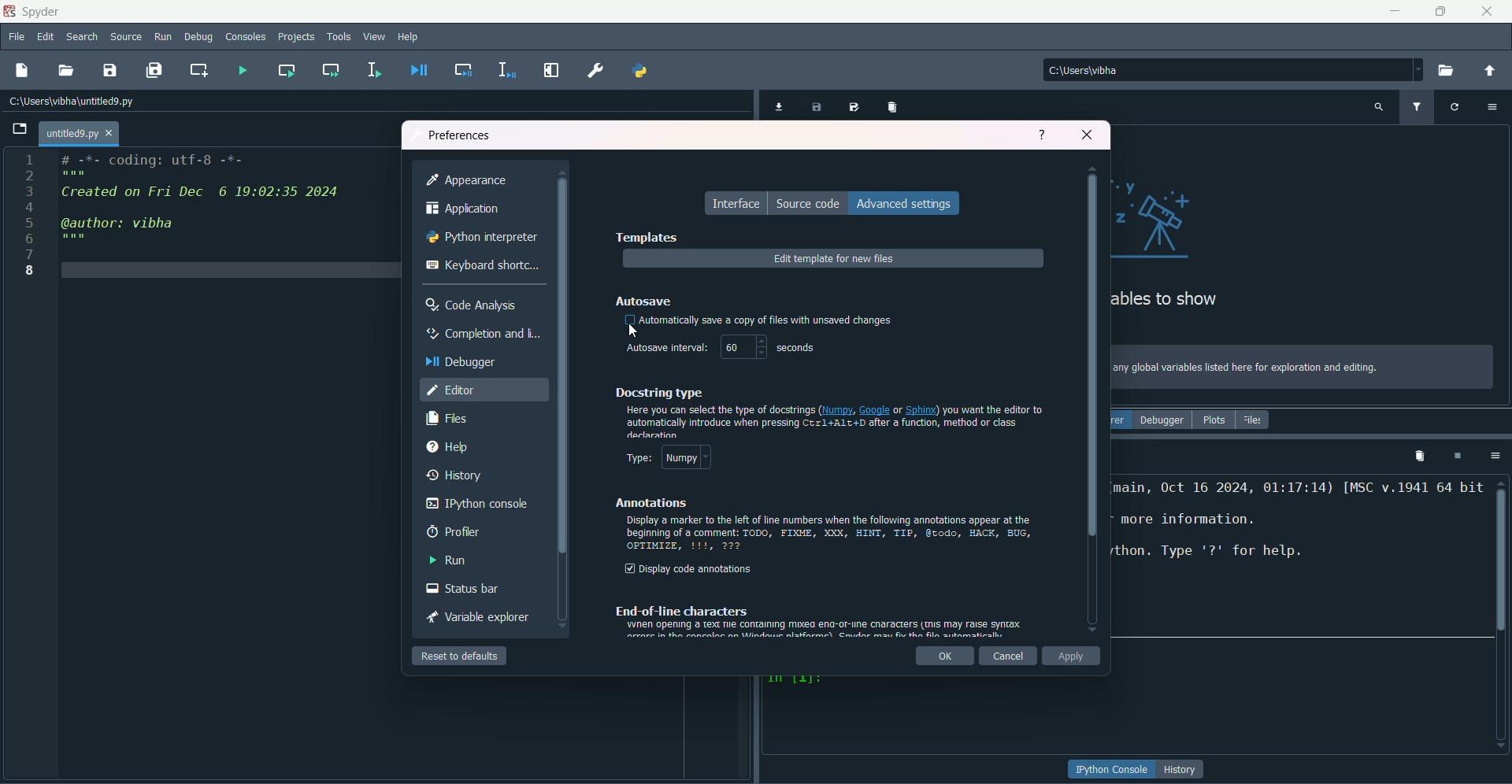 The image size is (1512, 784). I want to click on scrollbar, so click(1092, 376).